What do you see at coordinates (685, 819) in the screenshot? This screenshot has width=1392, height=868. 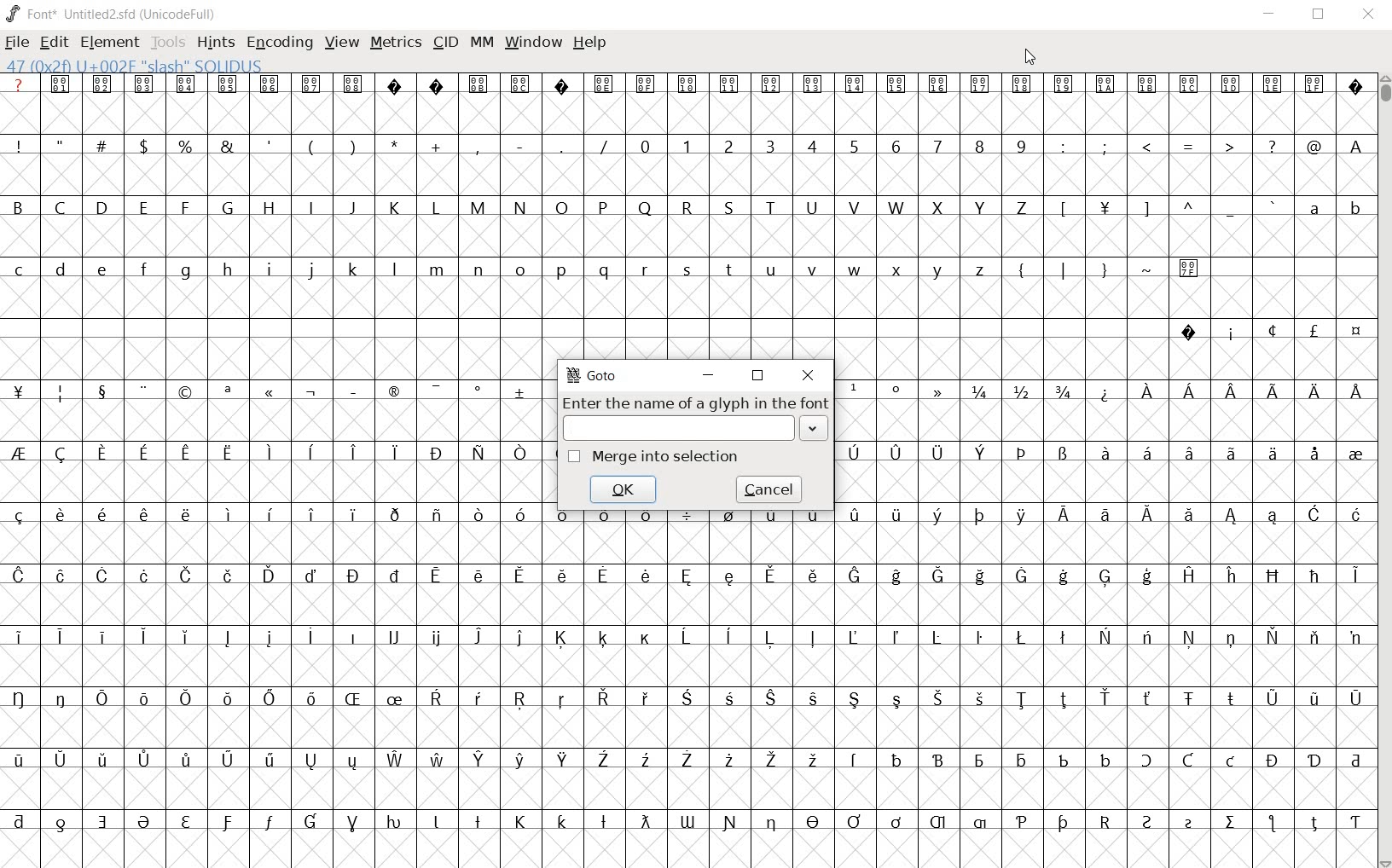 I see `` at bounding box center [685, 819].